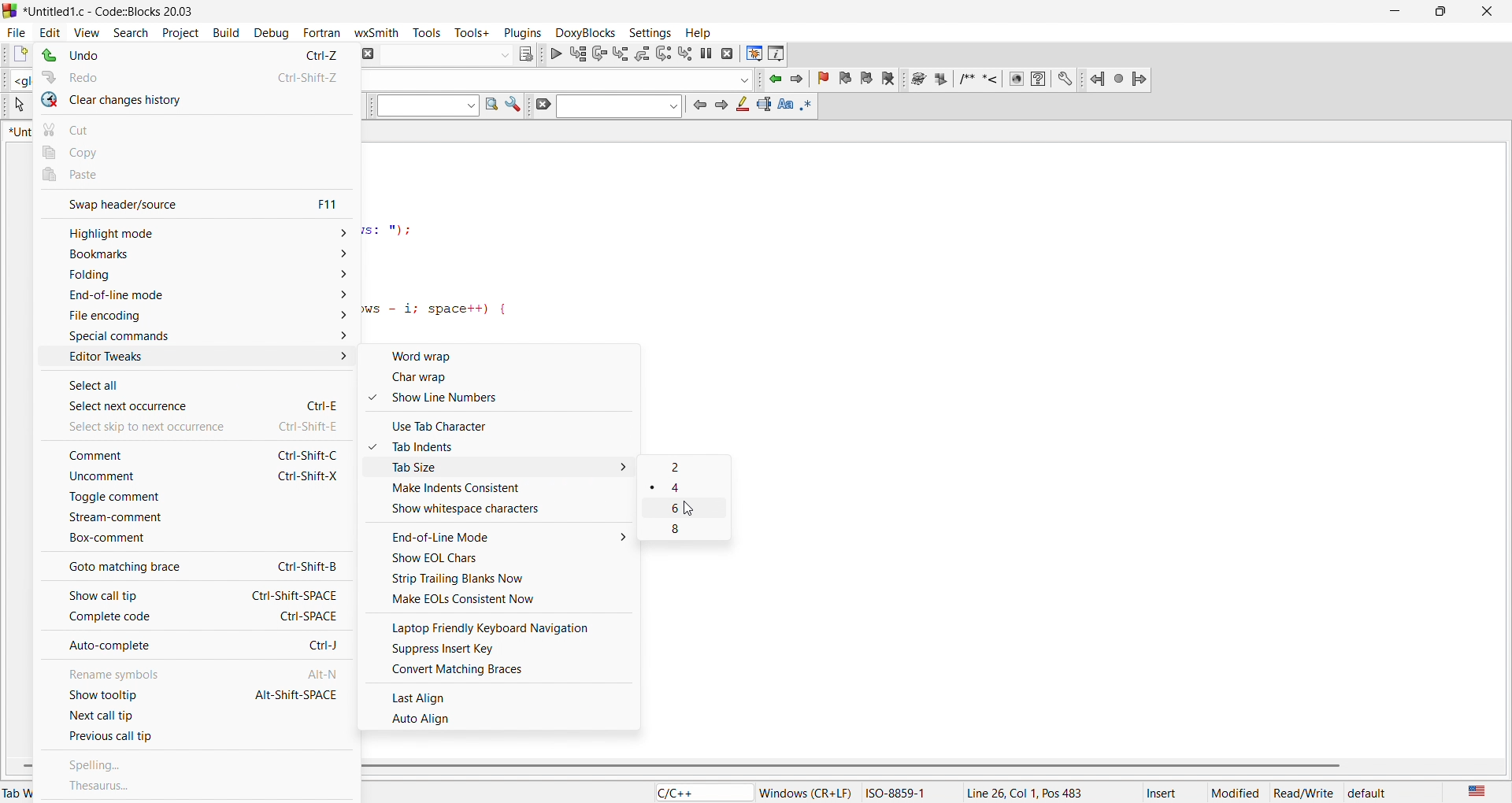 Image resolution: width=1512 pixels, height=803 pixels. I want to click on icon, so click(514, 108).